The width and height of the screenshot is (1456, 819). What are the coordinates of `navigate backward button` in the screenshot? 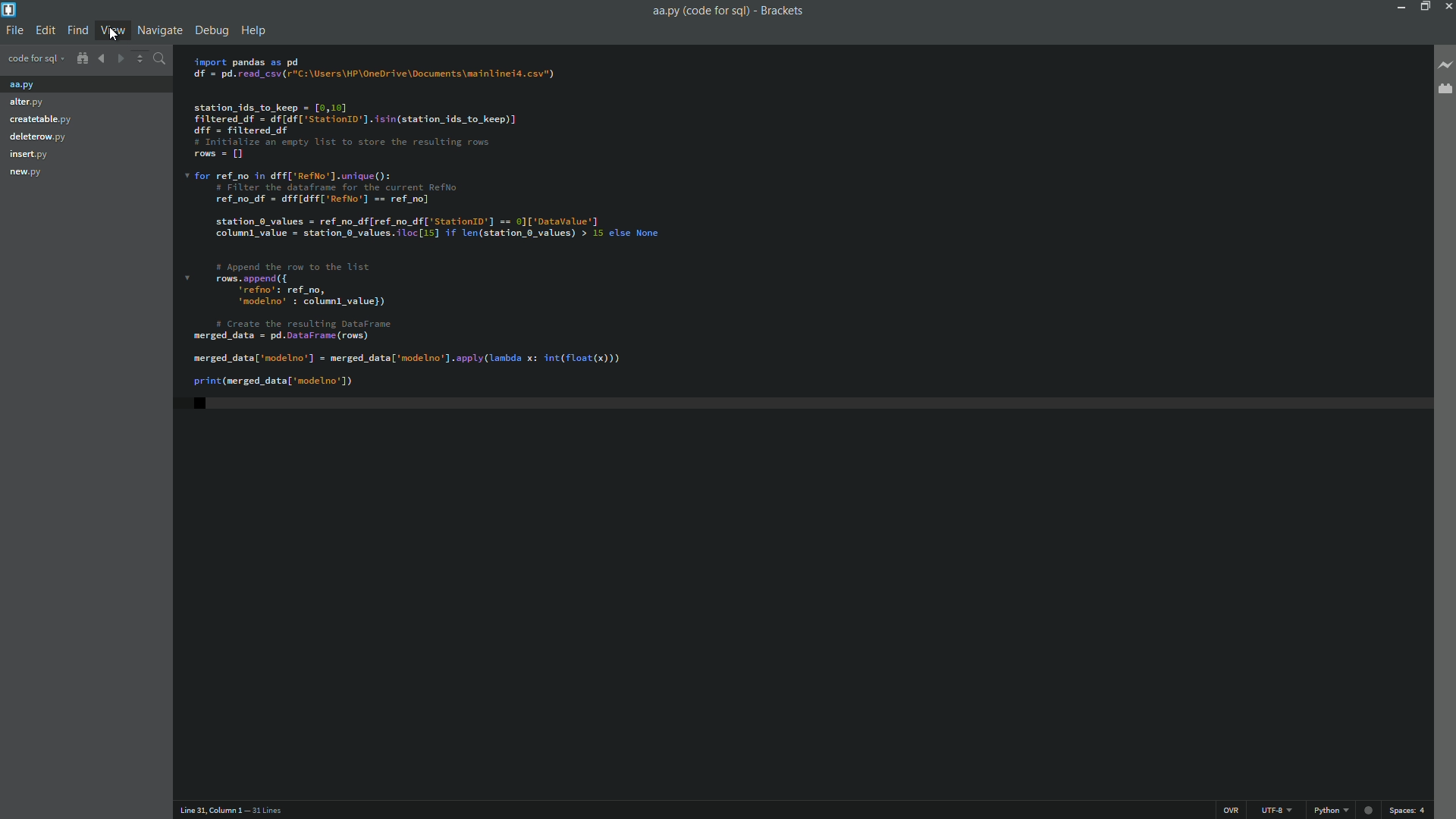 It's located at (100, 58).